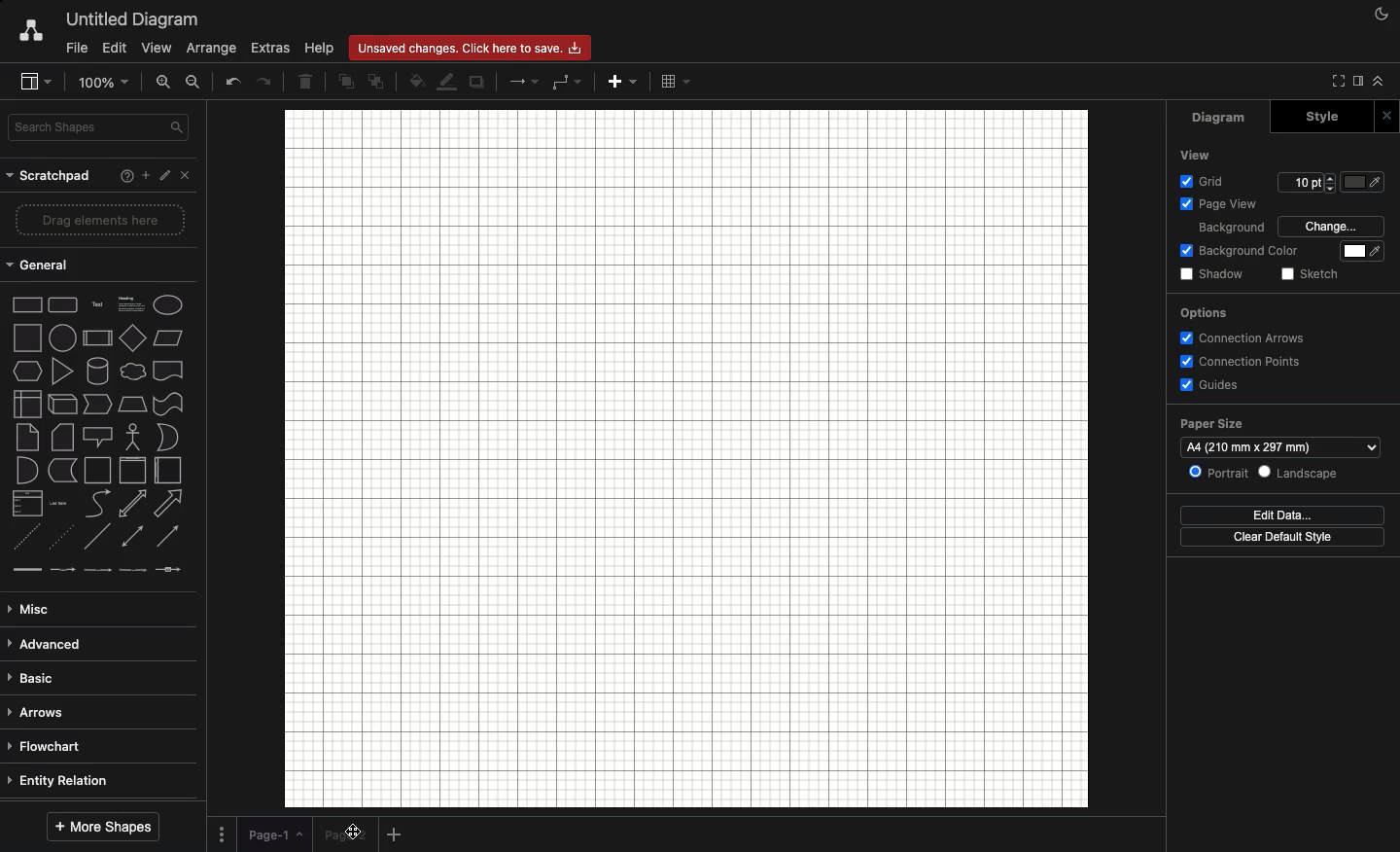 The width and height of the screenshot is (1400, 852). Describe the element at coordinates (415, 82) in the screenshot. I see `Fill color` at that location.